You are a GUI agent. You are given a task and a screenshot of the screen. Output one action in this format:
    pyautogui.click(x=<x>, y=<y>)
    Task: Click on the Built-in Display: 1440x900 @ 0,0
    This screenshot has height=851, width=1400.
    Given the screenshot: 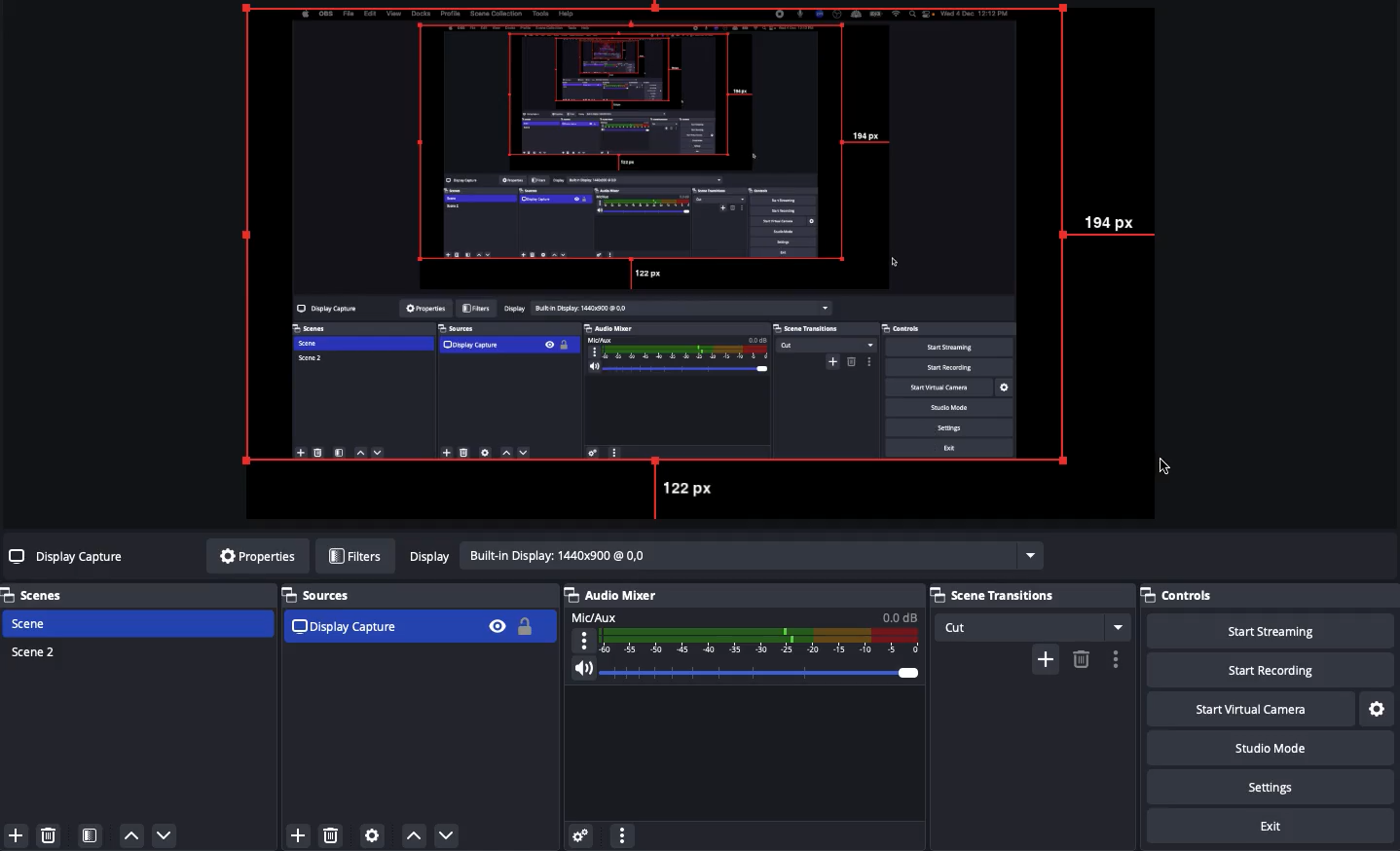 What is the action you would take?
    pyautogui.click(x=722, y=556)
    